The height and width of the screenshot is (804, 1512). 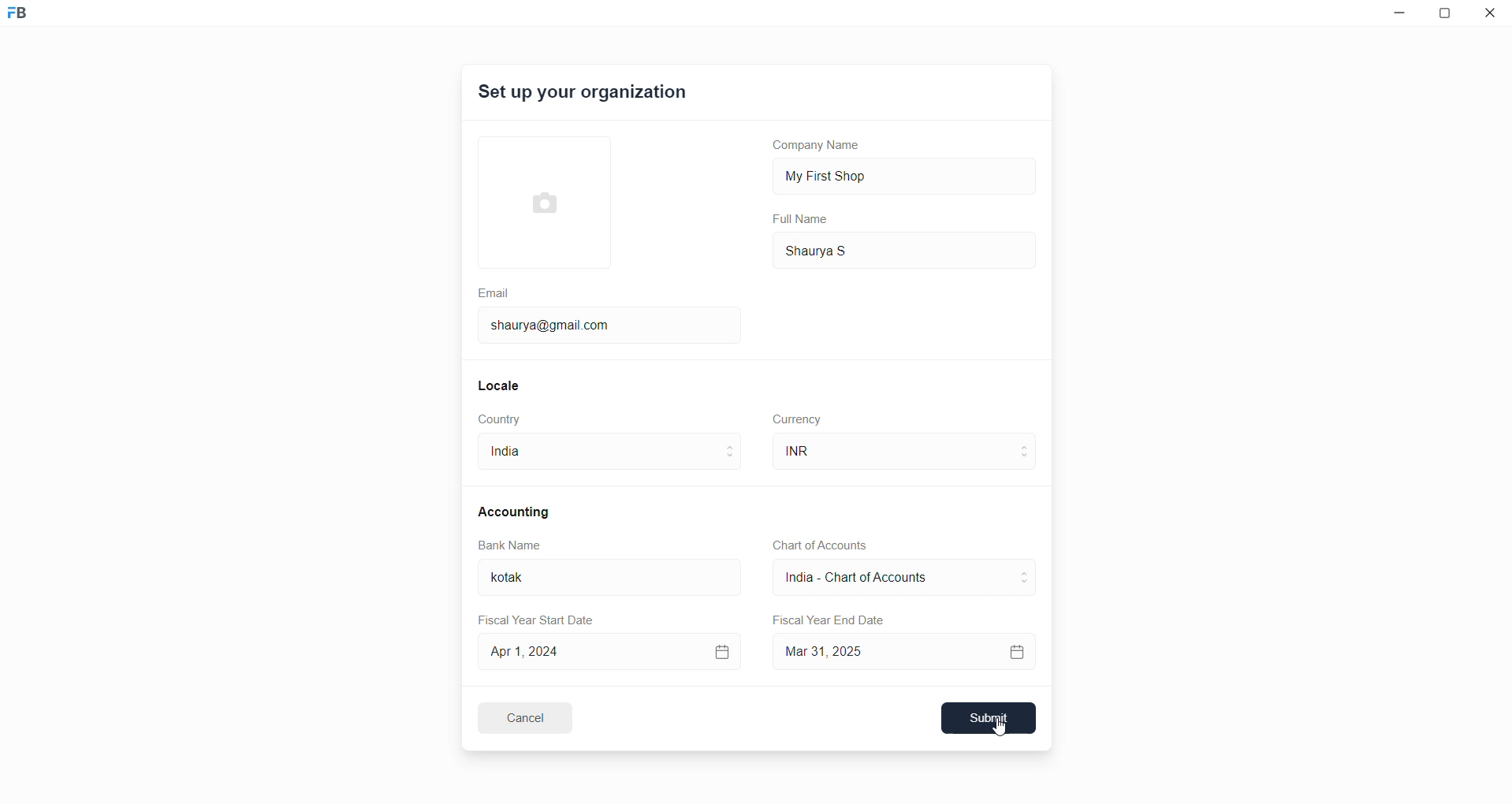 What do you see at coordinates (990, 718) in the screenshot?
I see `Submit ` at bounding box center [990, 718].